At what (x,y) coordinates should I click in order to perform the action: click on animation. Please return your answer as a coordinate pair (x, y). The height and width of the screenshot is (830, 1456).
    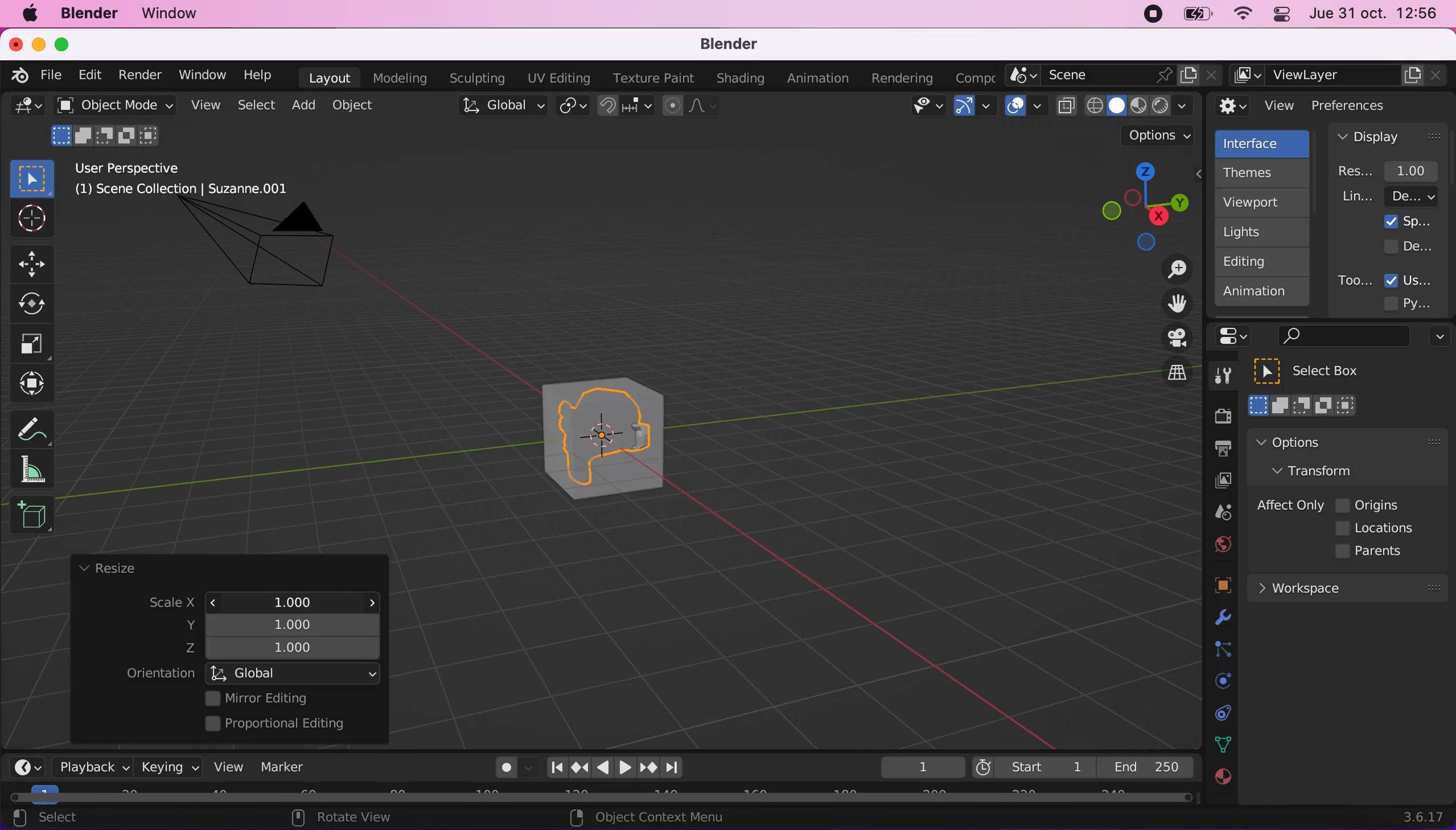
    Looking at the image, I should click on (1263, 295).